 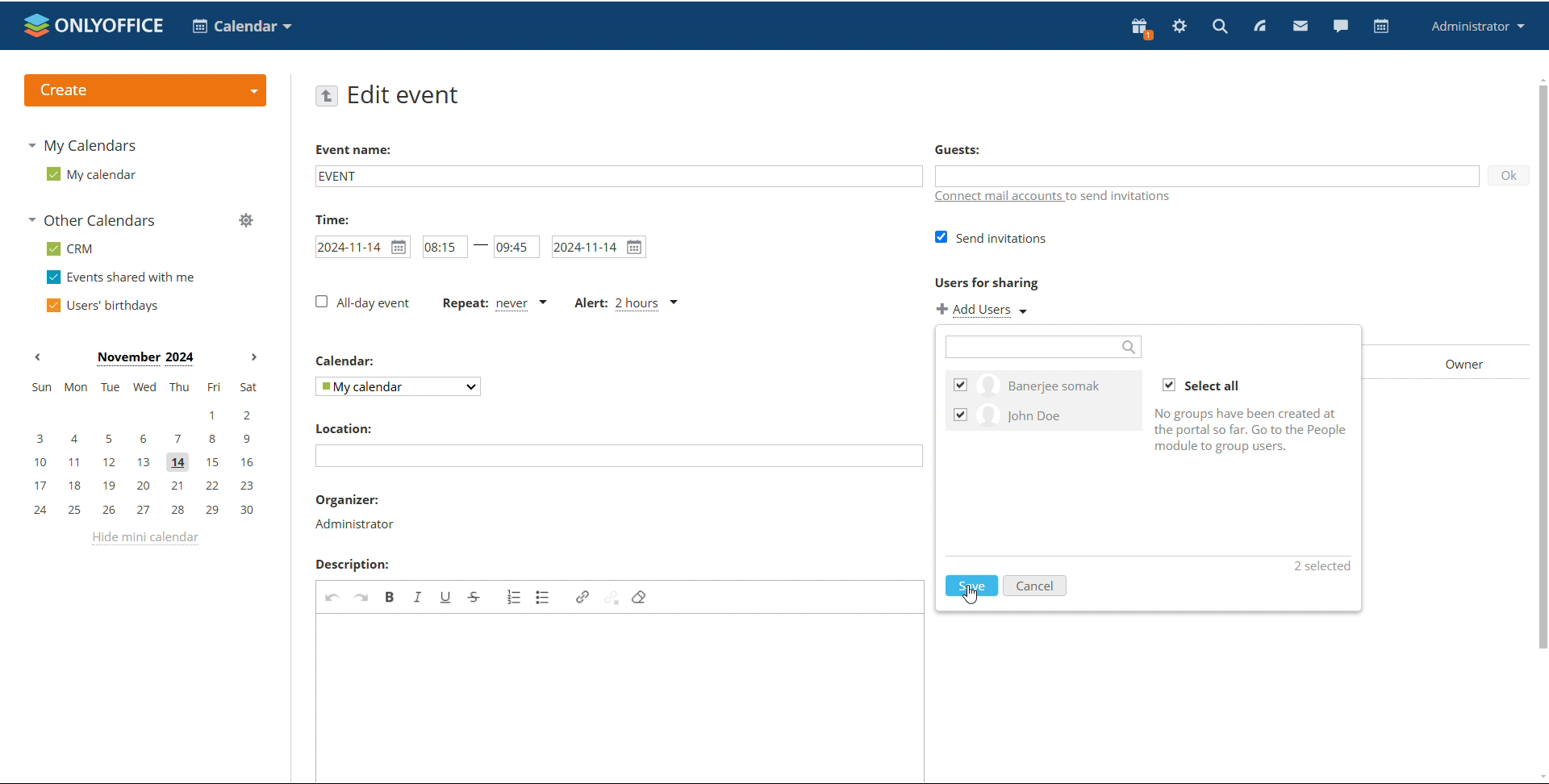 What do you see at coordinates (491, 303) in the screenshot?
I see `event repetition` at bounding box center [491, 303].